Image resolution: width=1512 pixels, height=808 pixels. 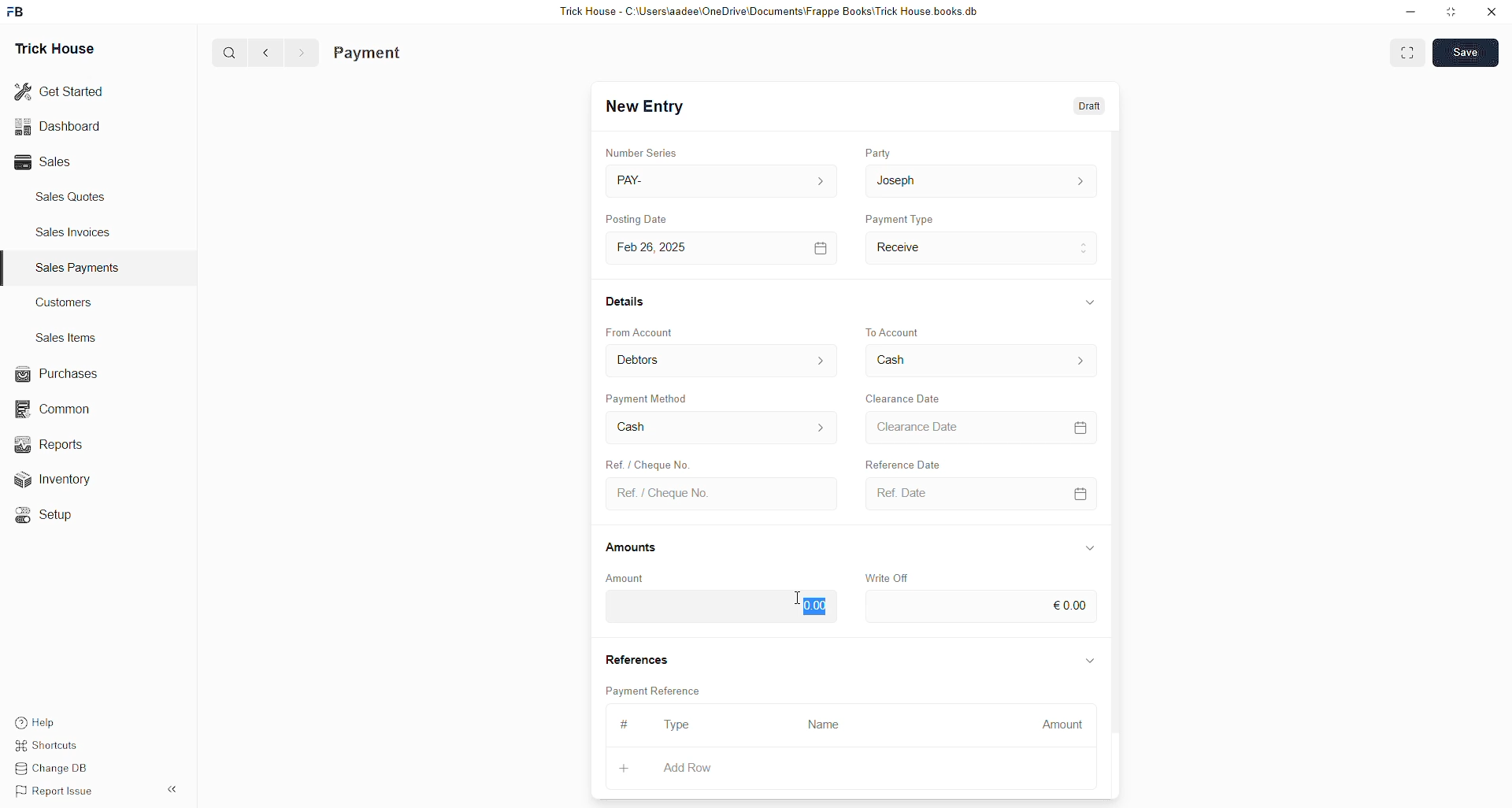 What do you see at coordinates (625, 724) in the screenshot?
I see `#` at bounding box center [625, 724].